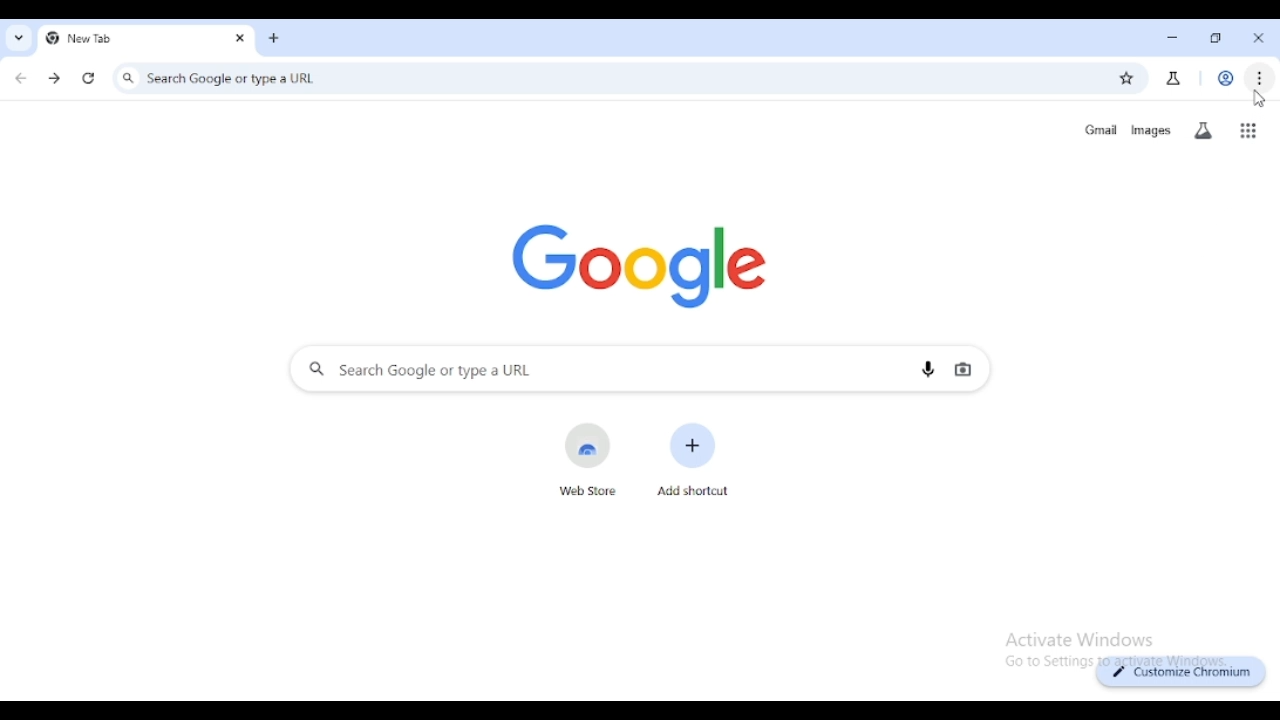 This screenshot has height=720, width=1280. Describe the element at coordinates (693, 459) in the screenshot. I see `add shortcut` at that location.